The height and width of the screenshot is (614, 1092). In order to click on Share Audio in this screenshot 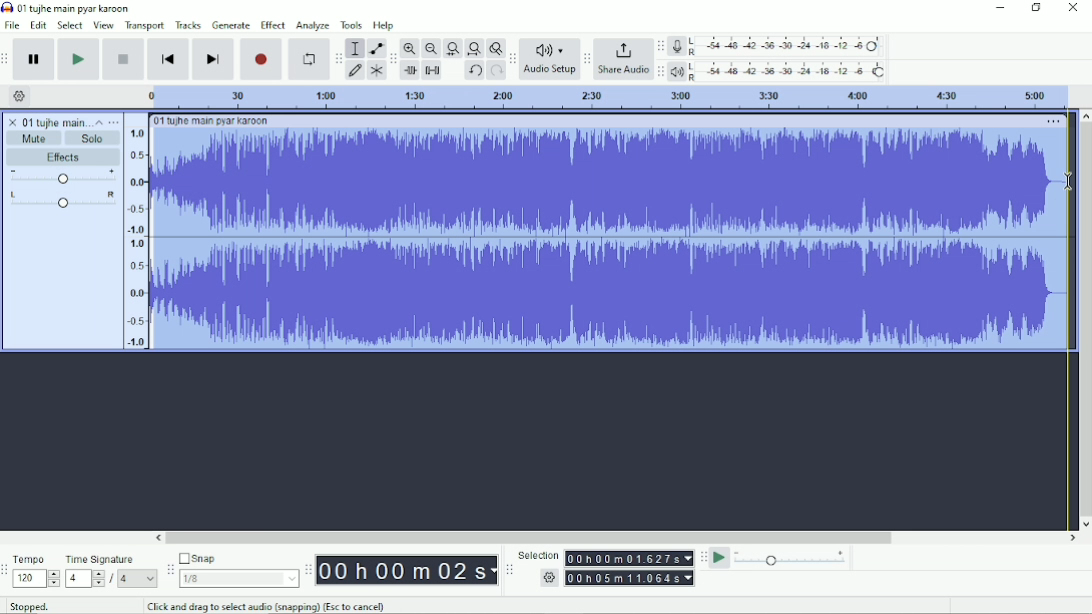, I will do `click(623, 59)`.